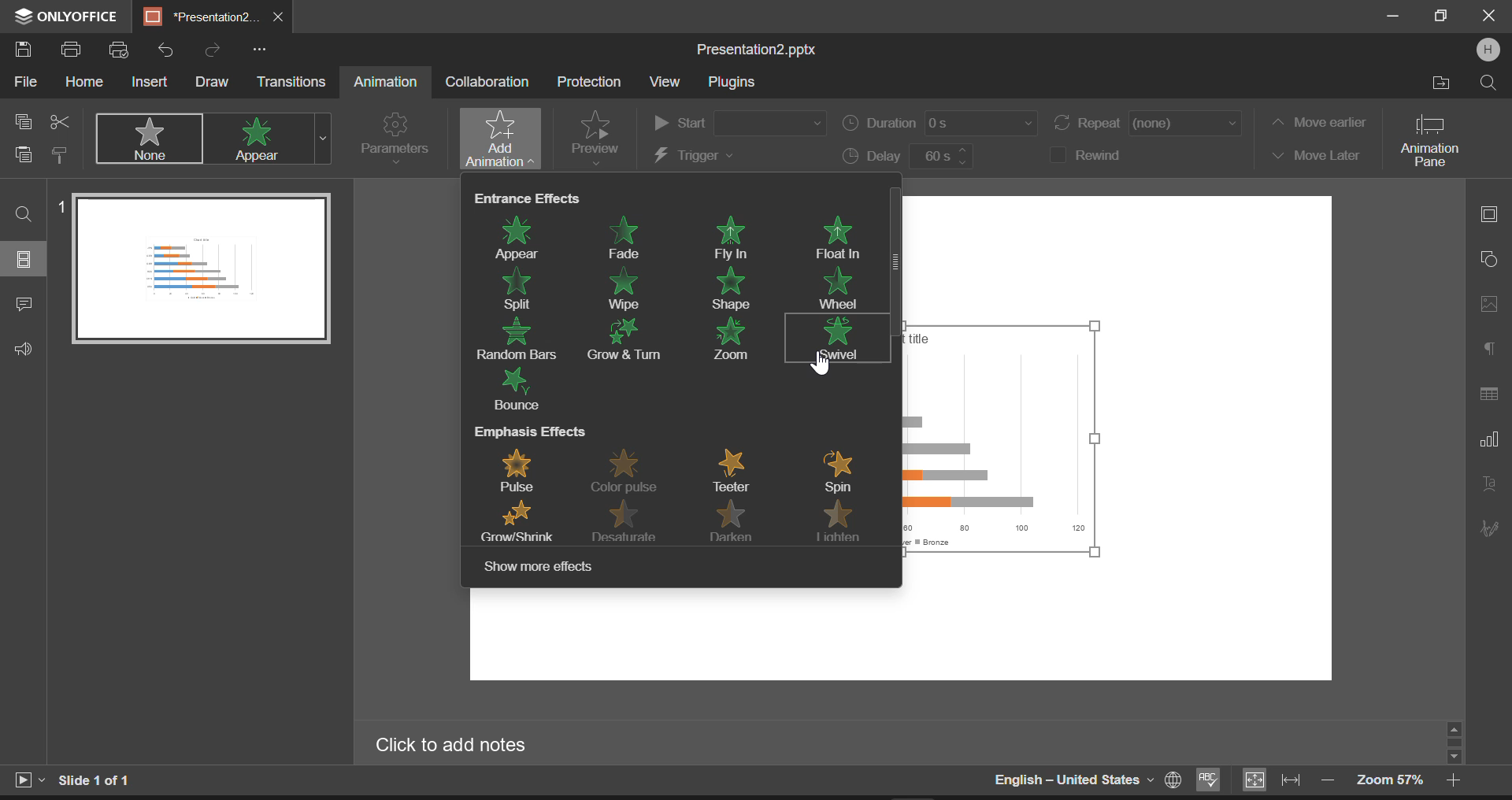 This screenshot has height=800, width=1512. I want to click on Fade, so click(624, 235).